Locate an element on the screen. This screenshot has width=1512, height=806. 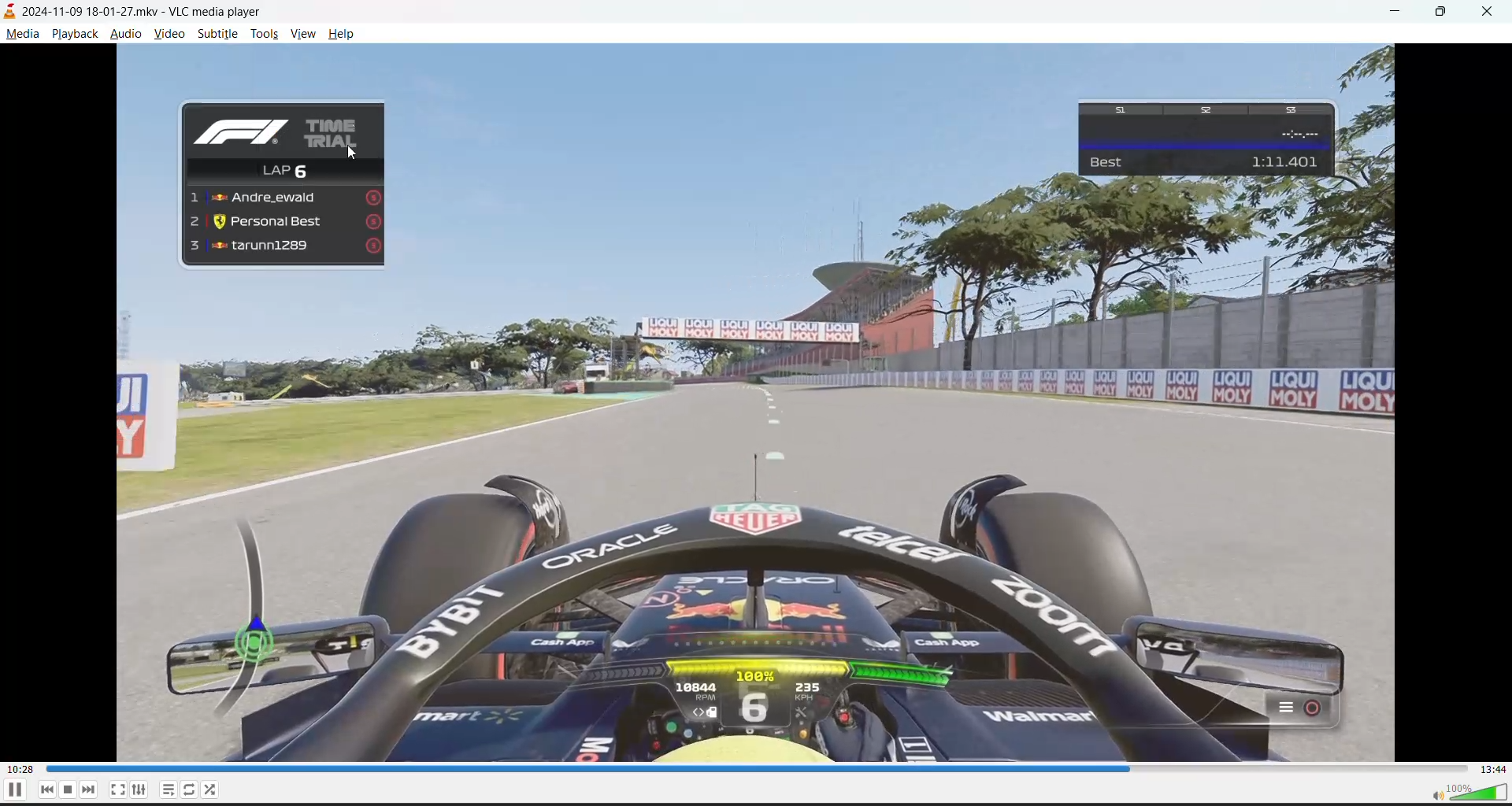
fullscreen is located at coordinates (116, 790).